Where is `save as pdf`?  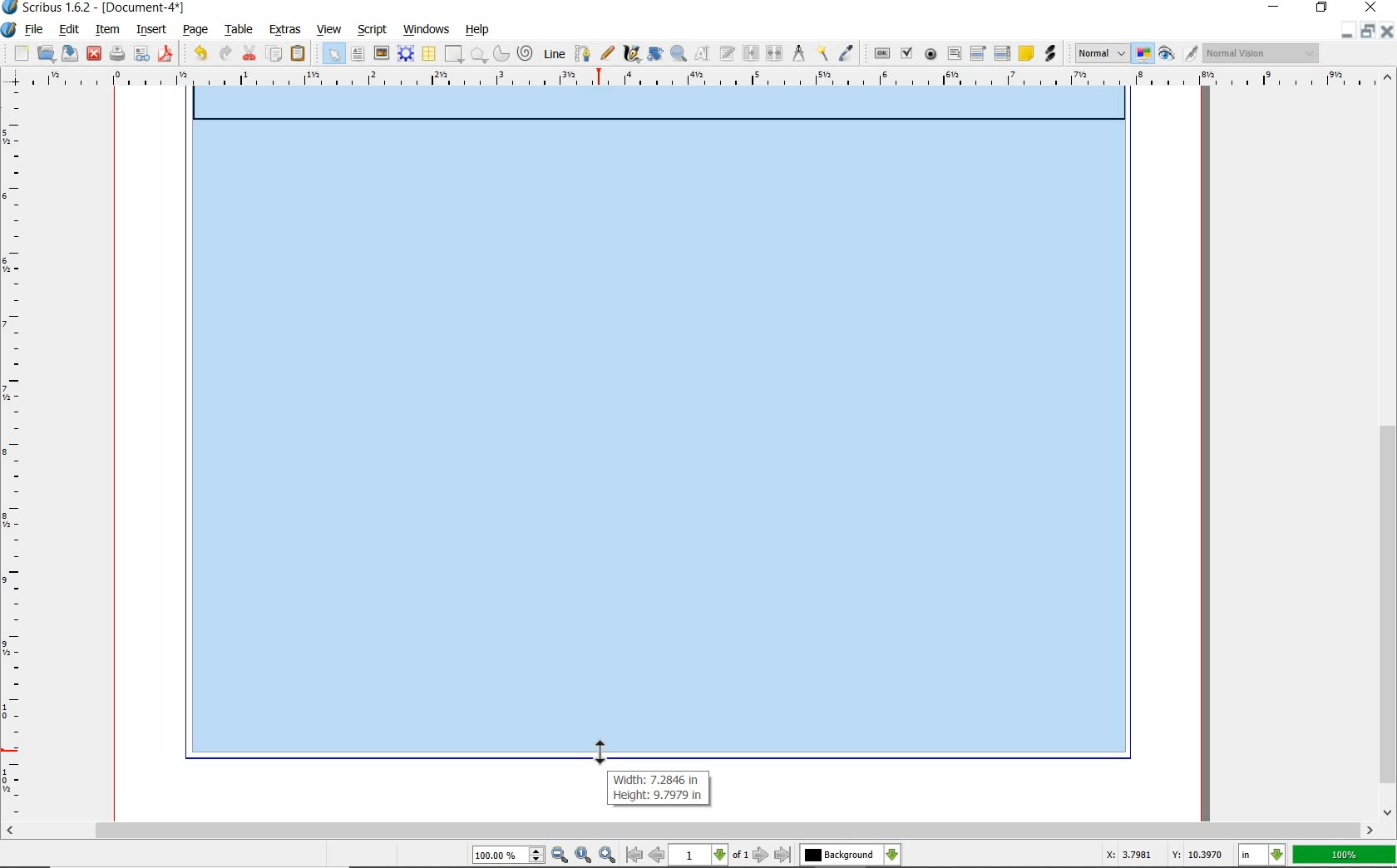
save as pdf is located at coordinates (166, 53).